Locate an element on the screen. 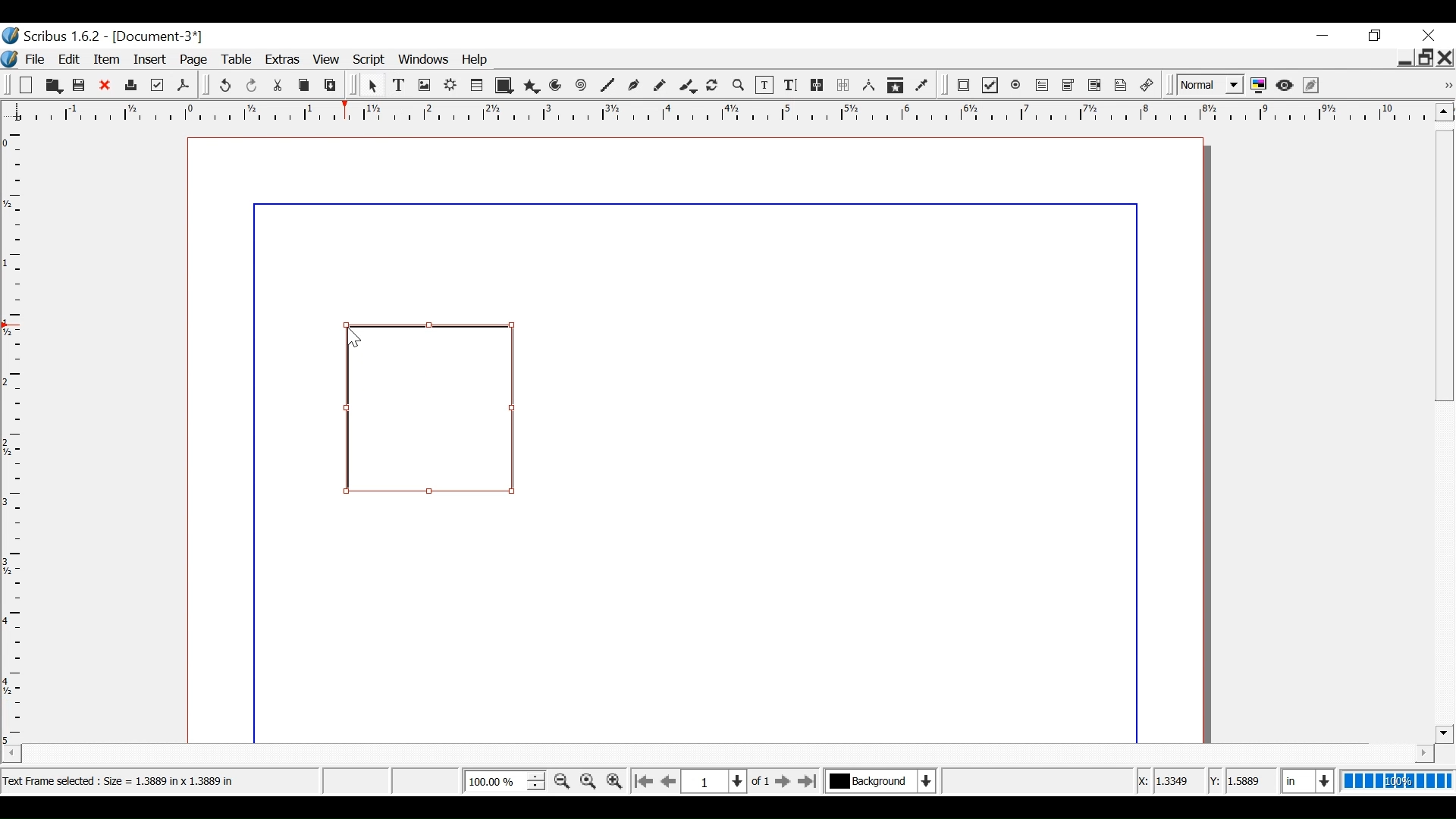 This screenshot has width=1456, height=819. link text frames is located at coordinates (817, 86).